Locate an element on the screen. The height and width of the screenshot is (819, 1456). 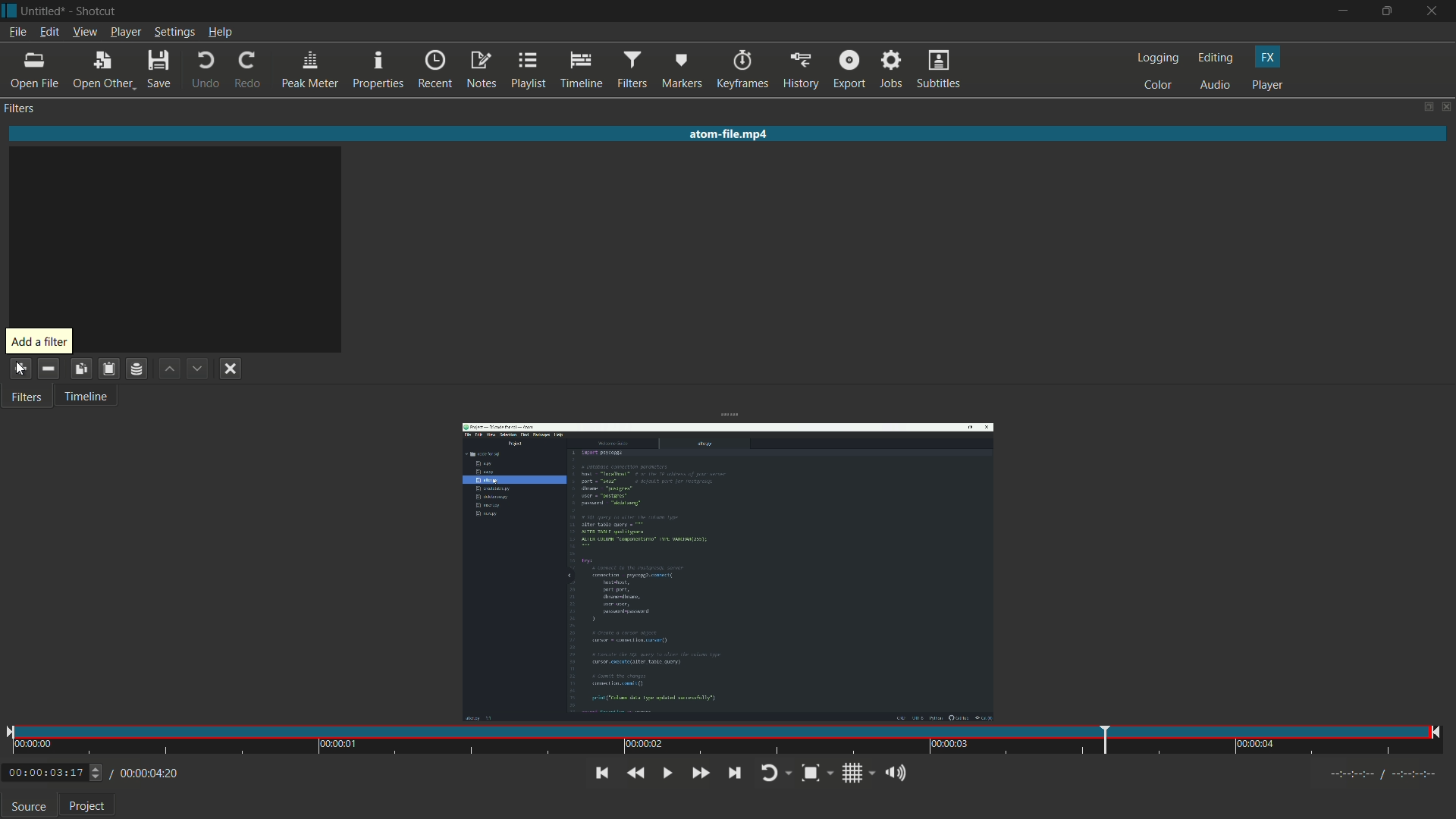
untitled is located at coordinates (43, 11).